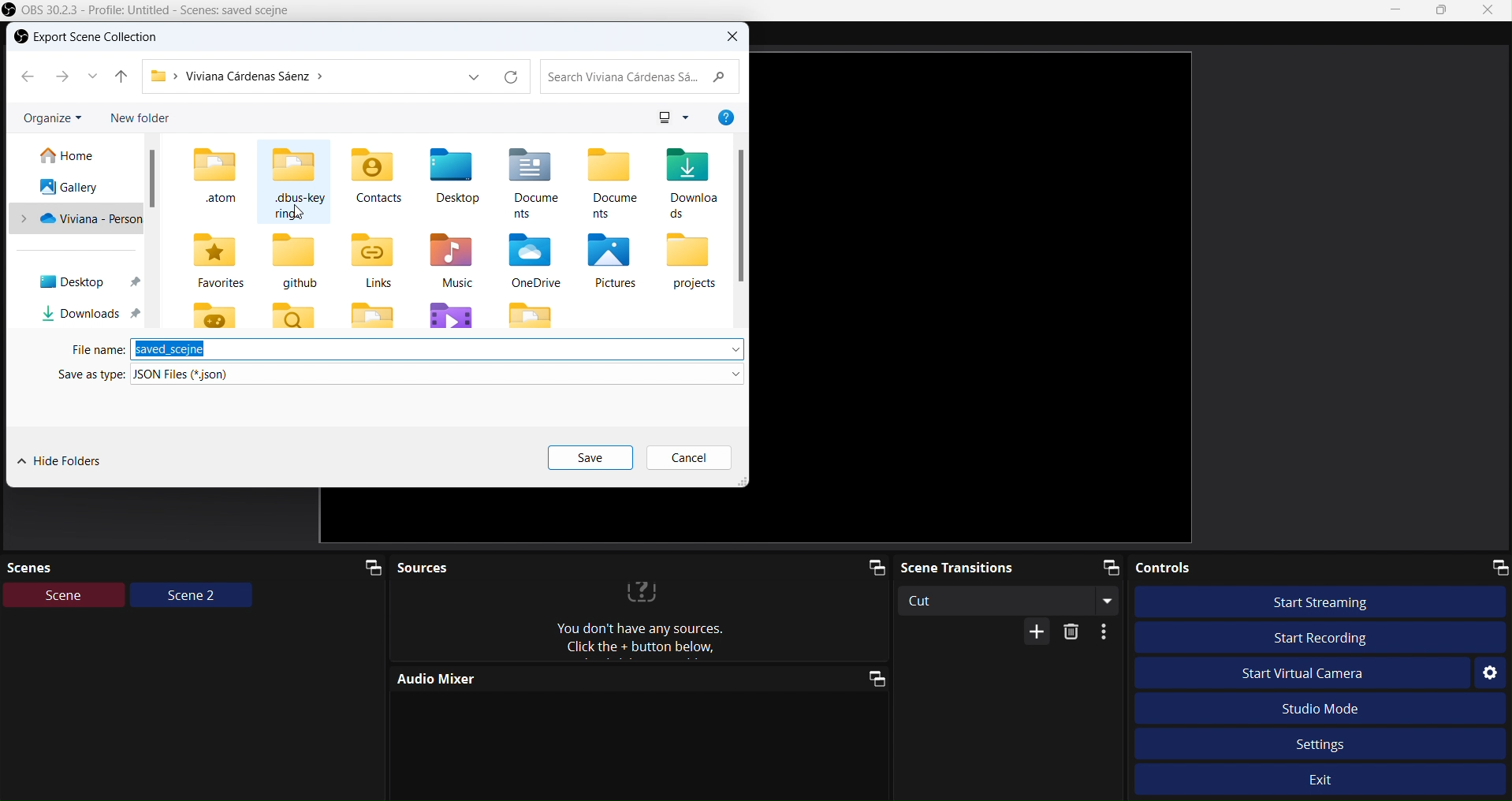 This screenshot has height=801, width=1512. Describe the element at coordinates (214, 313) in the screenshot. I see `folder` at that location.